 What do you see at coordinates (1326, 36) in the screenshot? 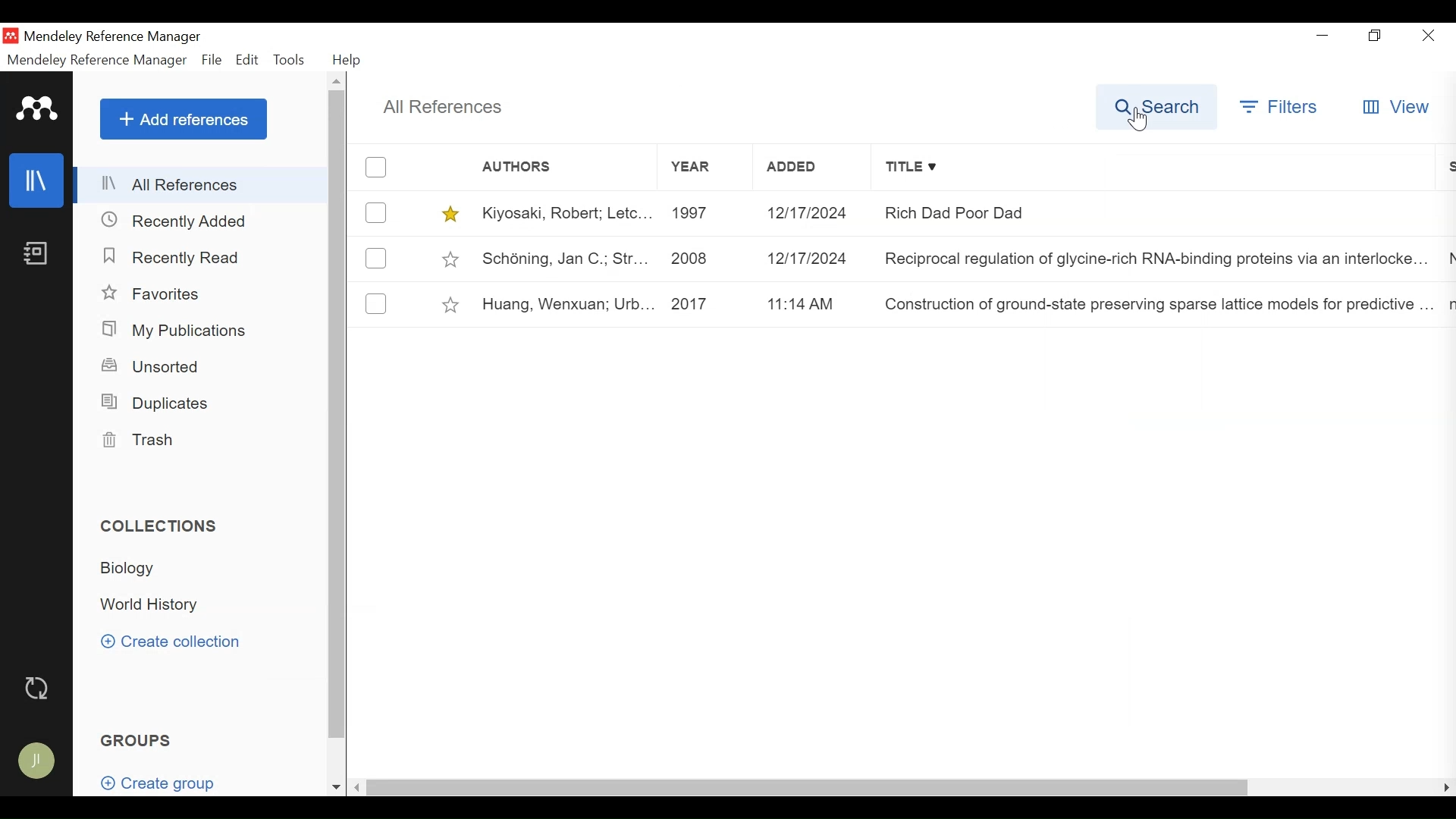
I see `Minimize` at bounding box center [1326, 36].